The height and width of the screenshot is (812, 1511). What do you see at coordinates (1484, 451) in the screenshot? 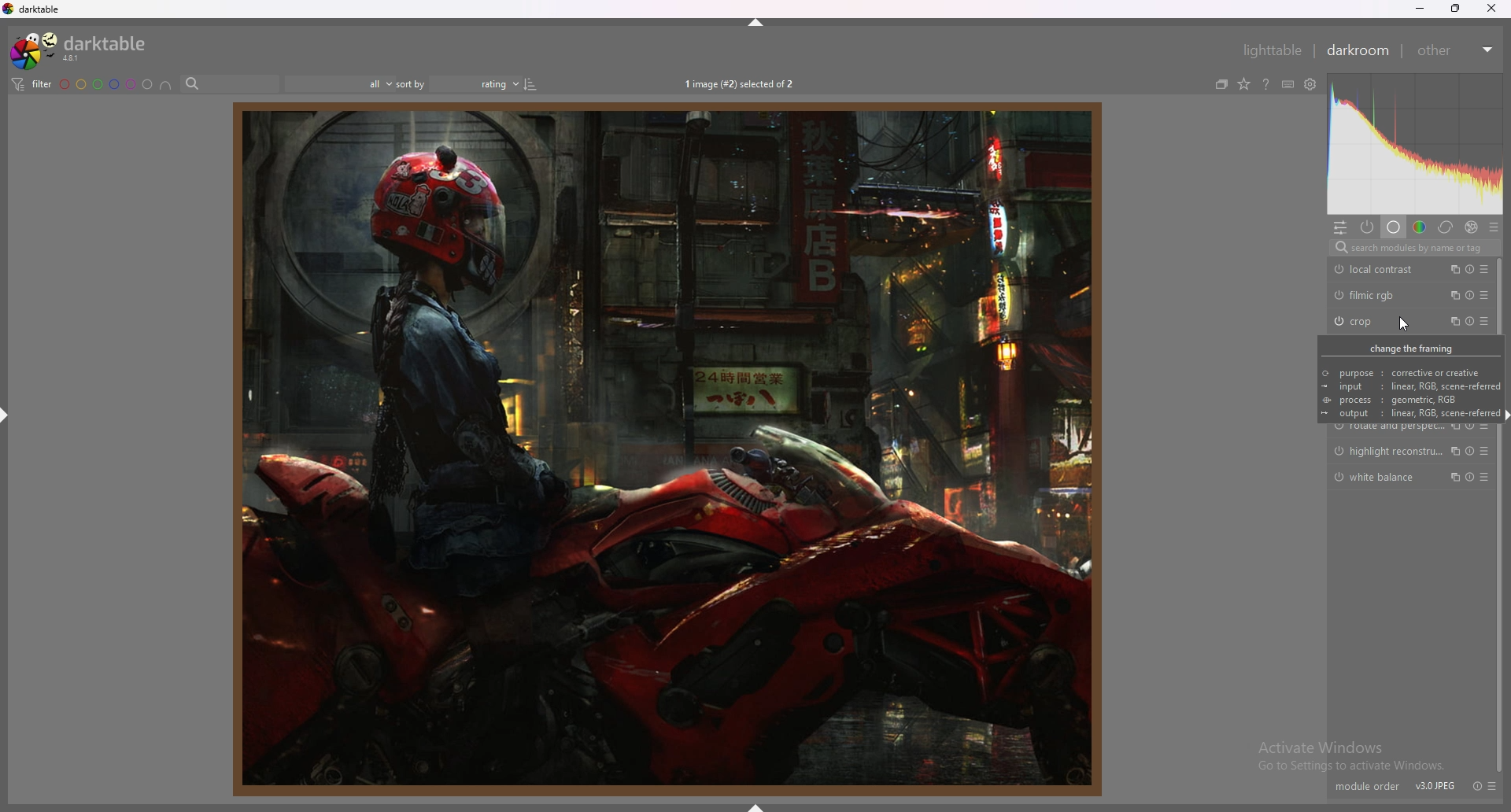
I see `presets` at bounding box center [1484, 451].